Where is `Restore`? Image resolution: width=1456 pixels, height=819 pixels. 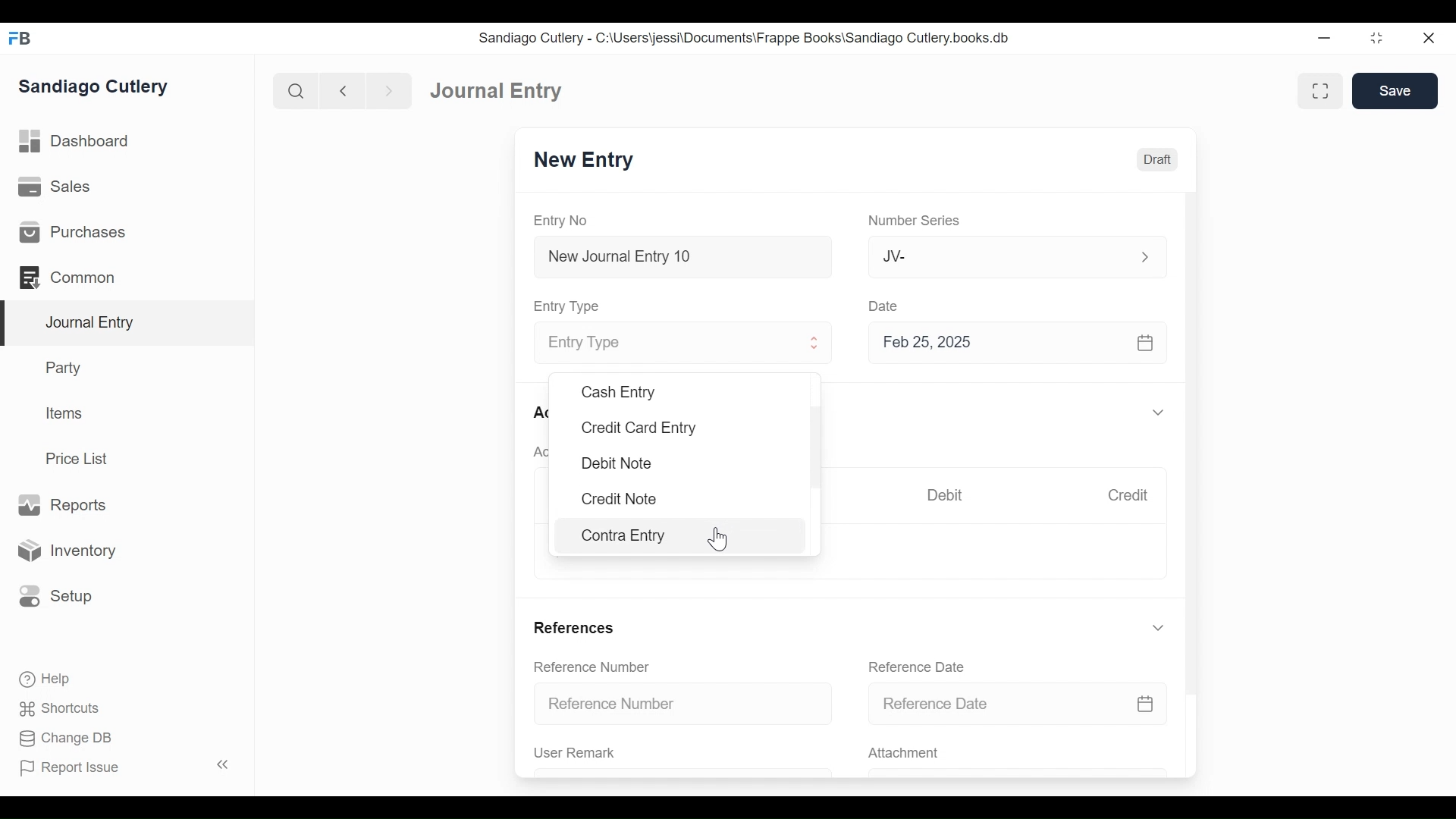
Restore is located at coordinates (1376, 39).